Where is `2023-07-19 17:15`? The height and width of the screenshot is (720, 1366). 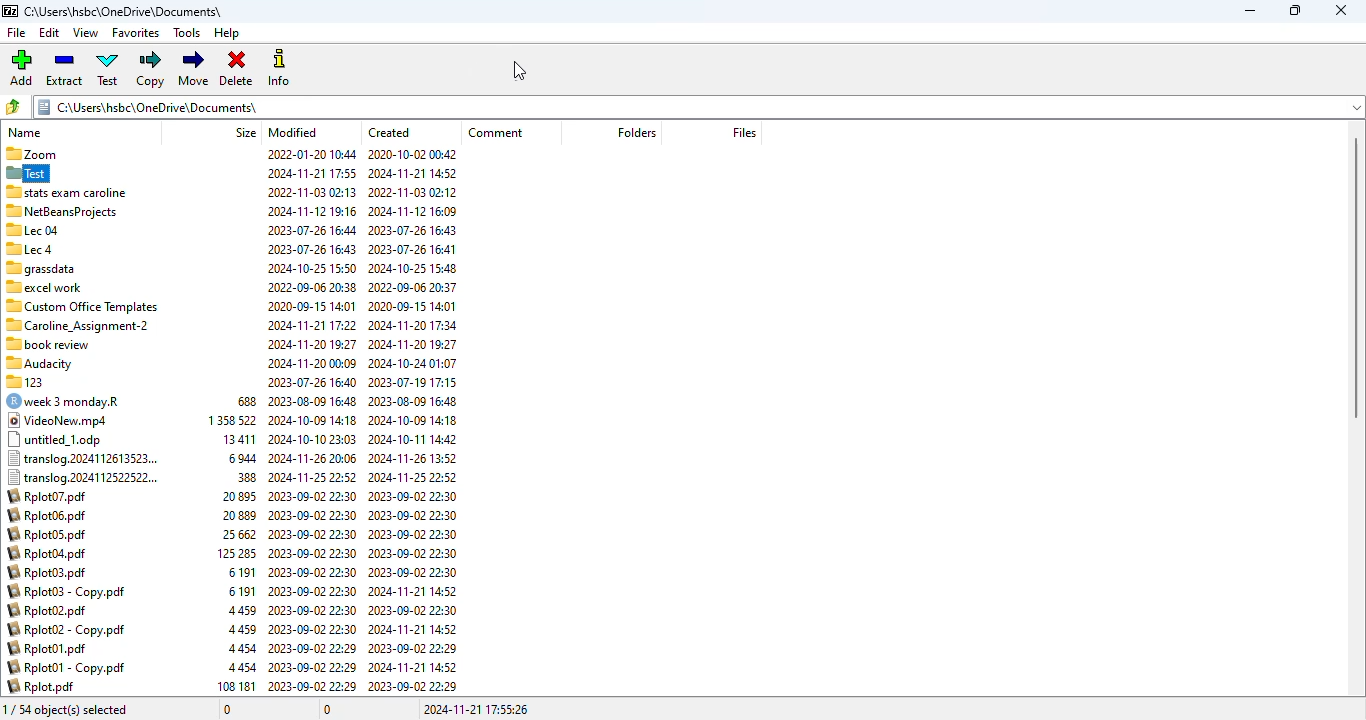
2023-07-19 17:15 is located at coordinates (414, 382).